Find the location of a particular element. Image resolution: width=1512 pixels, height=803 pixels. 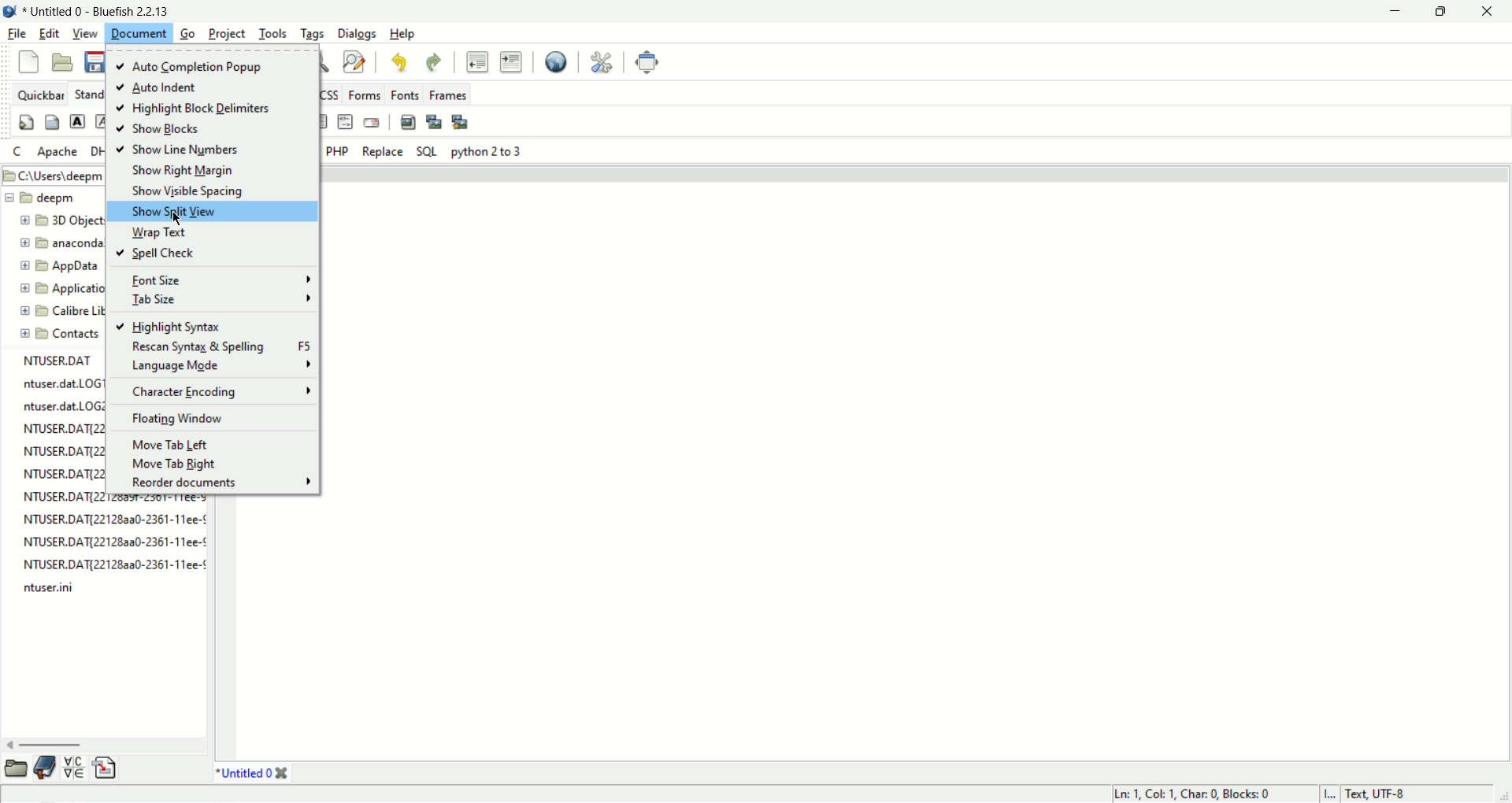

unindent is located at coordinates (478, 63).